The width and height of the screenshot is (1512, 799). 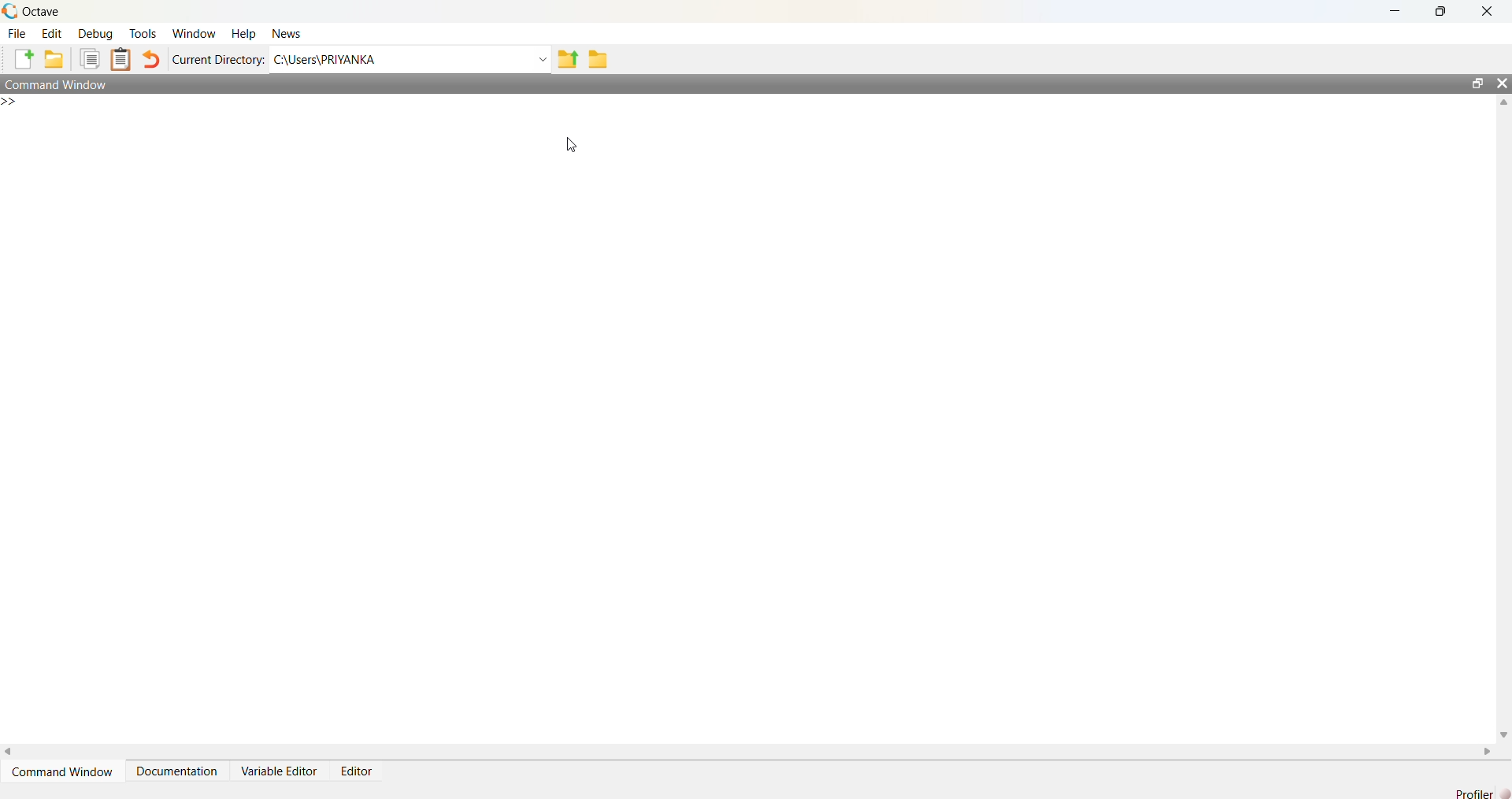 I want to click on Browse directories, so click(x=597, y=58).